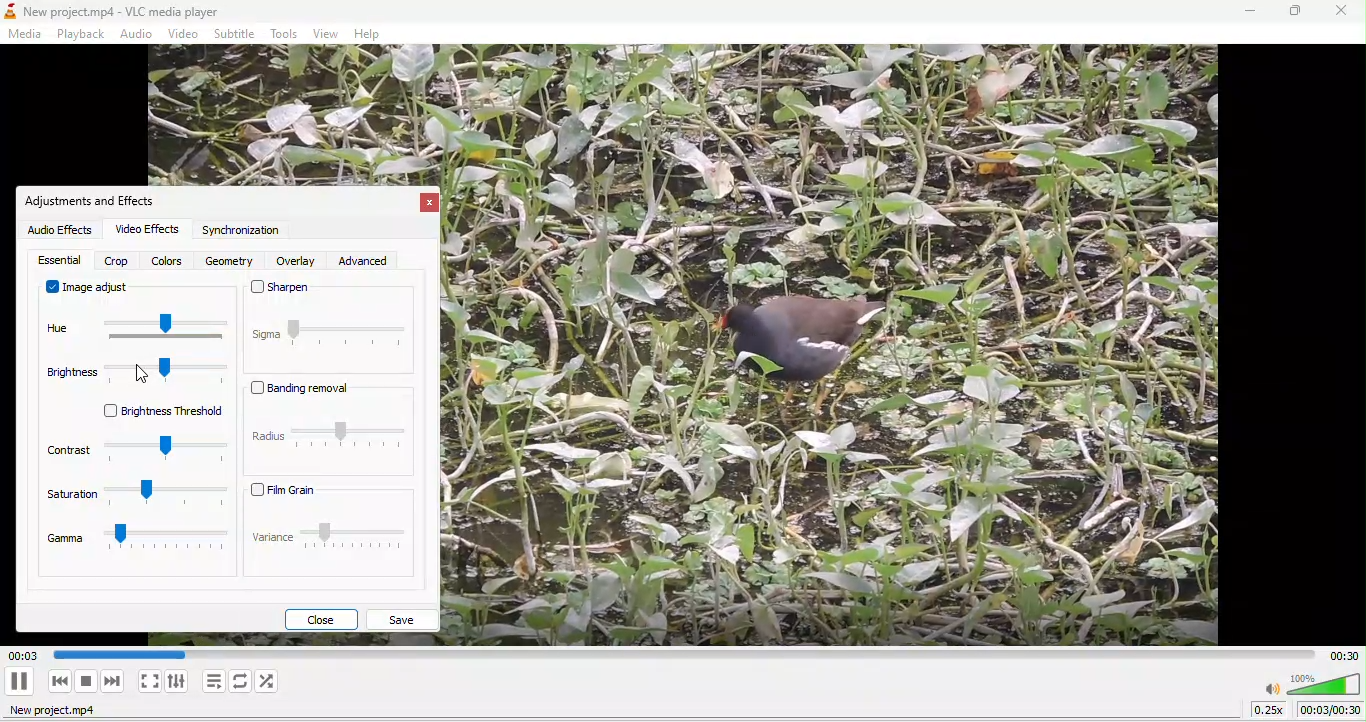 This screenshot has width=1366, height=722. What do you see at coordinates (146, 231) in the screenshot?
I see `video effects` at bounding box center [146, 231].